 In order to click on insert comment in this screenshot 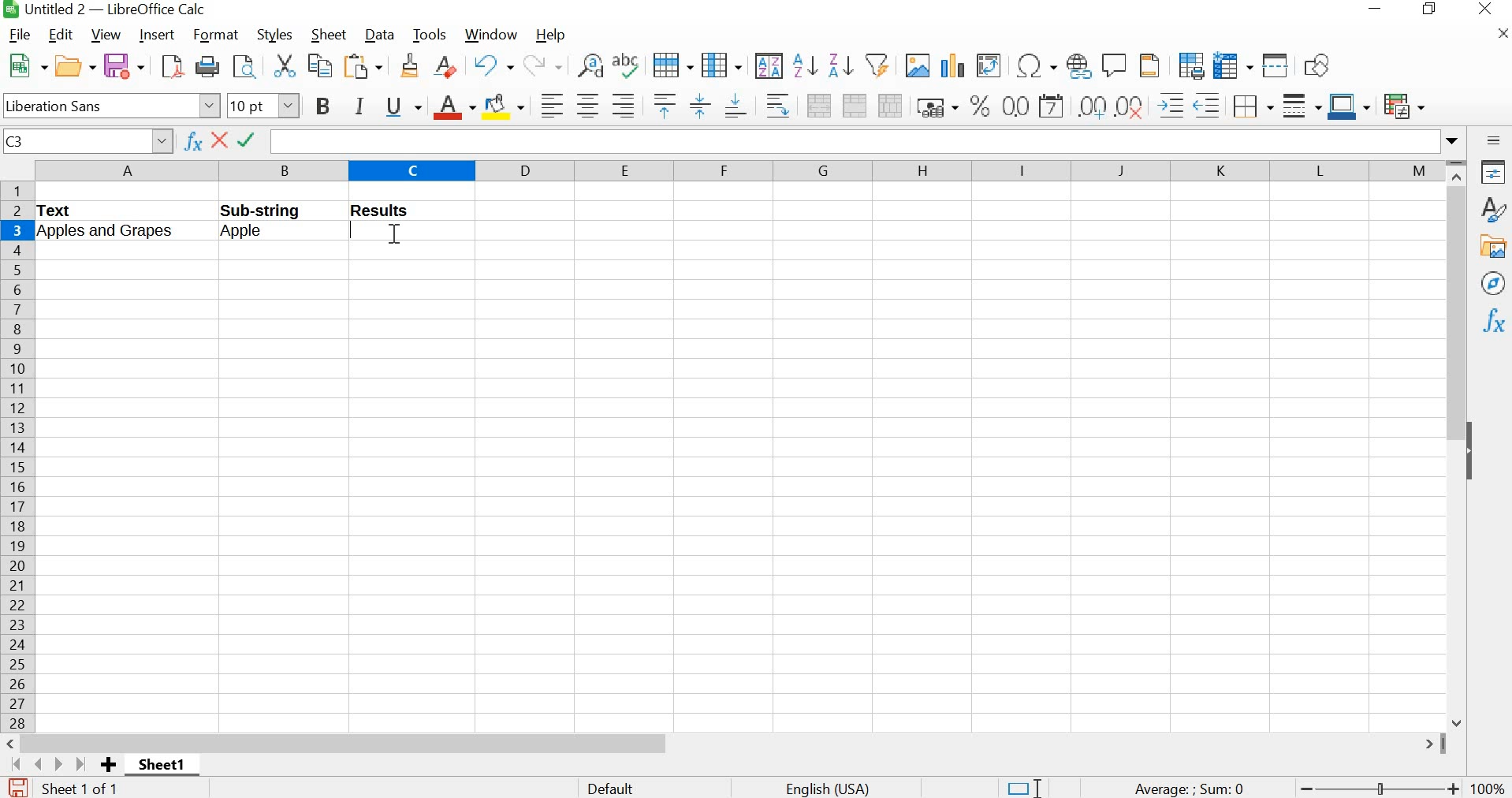, I will do `click(1115, 64)`.